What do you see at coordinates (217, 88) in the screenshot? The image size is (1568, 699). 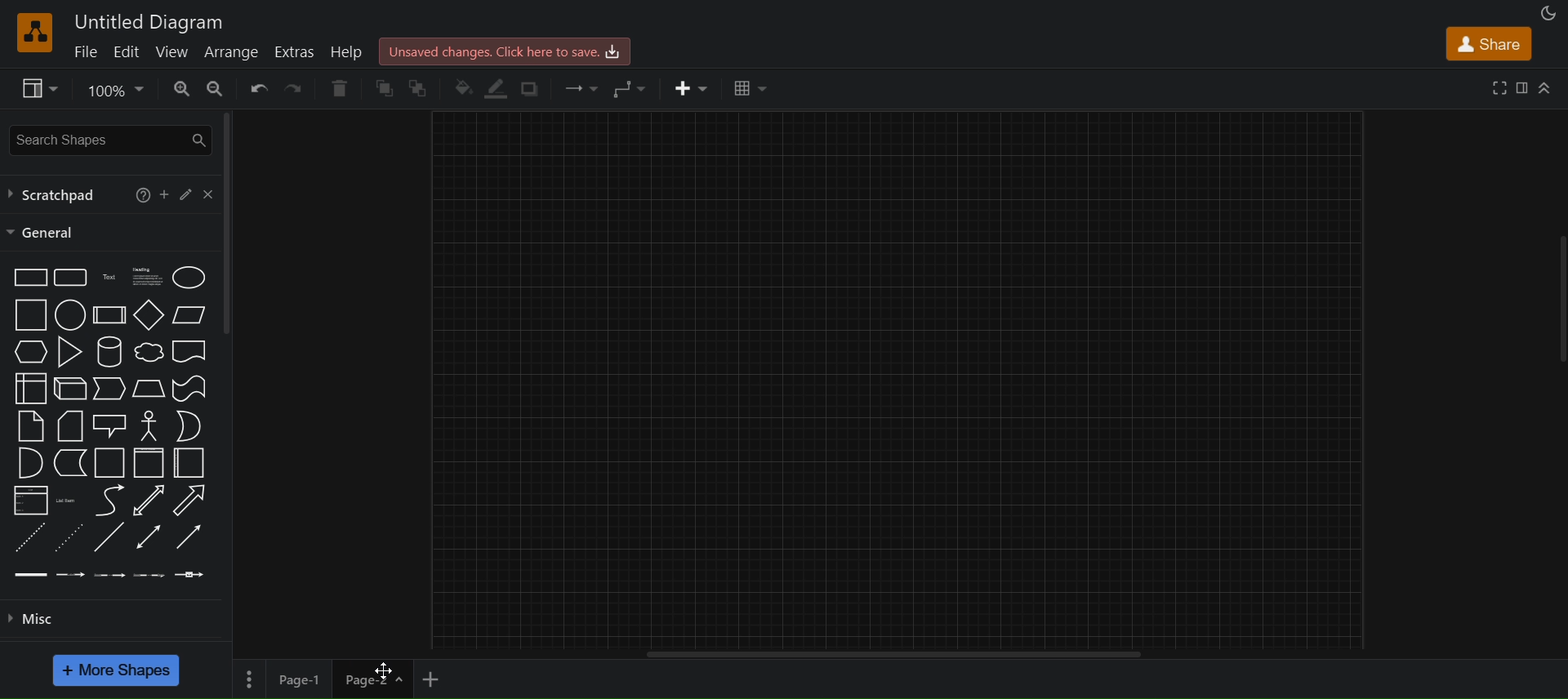 I see `zoom out` at bounding box center [217, 88].